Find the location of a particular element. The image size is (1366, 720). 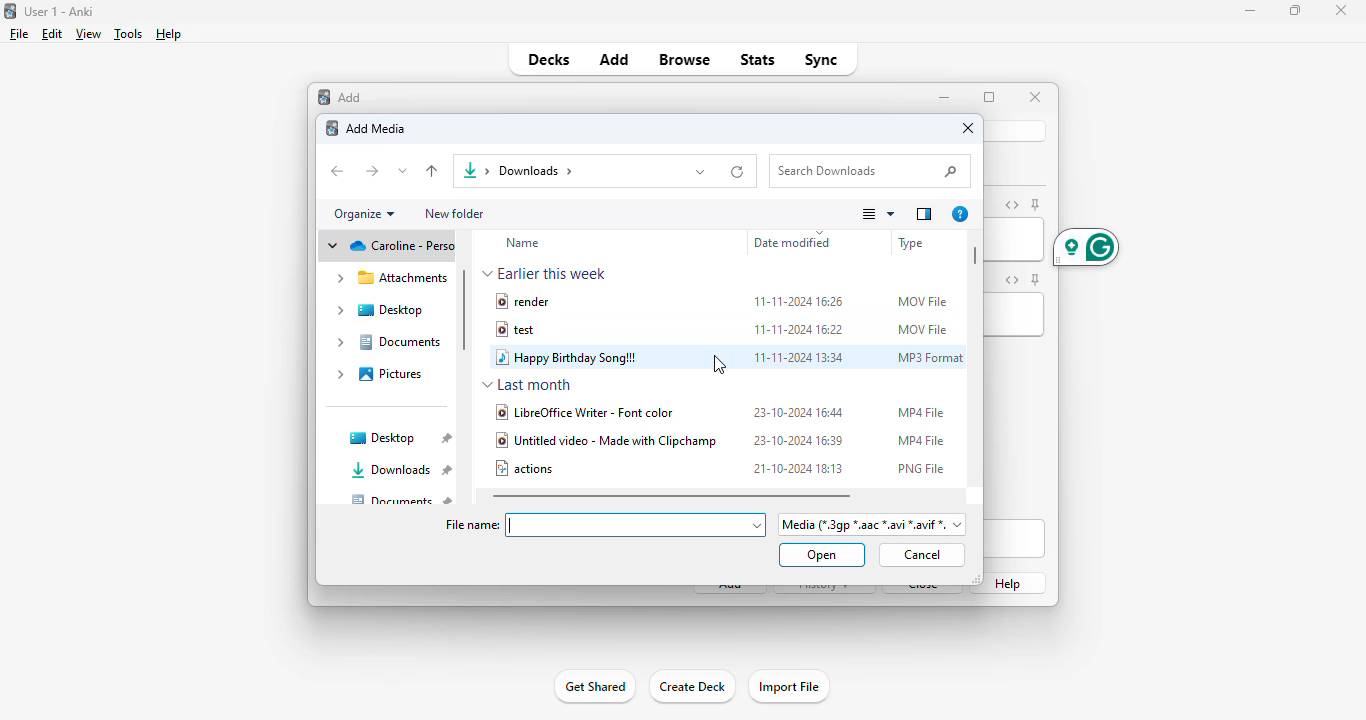

downloads is located at coordinates (400, 469).